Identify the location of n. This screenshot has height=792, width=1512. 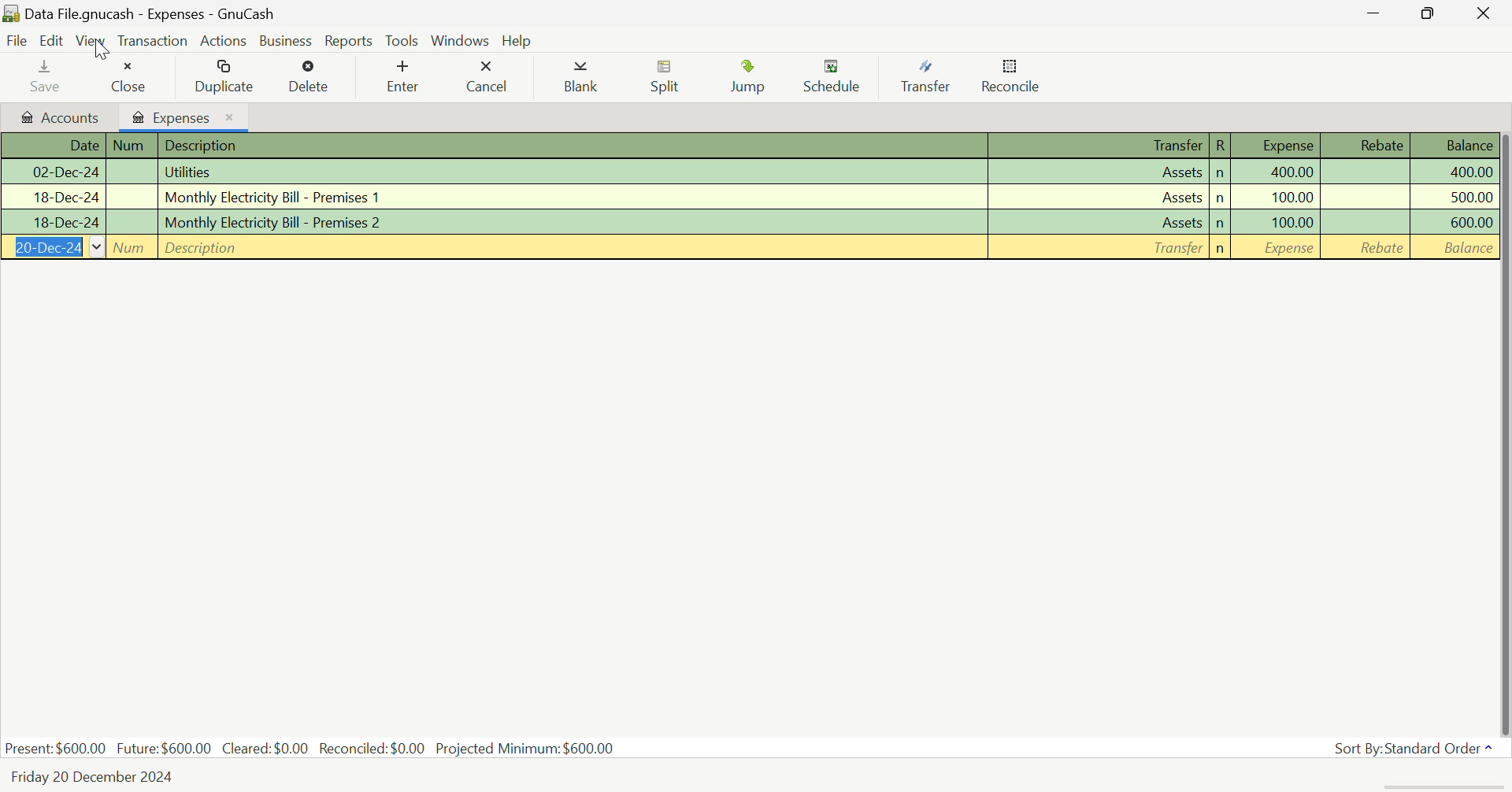
(1219, 224).